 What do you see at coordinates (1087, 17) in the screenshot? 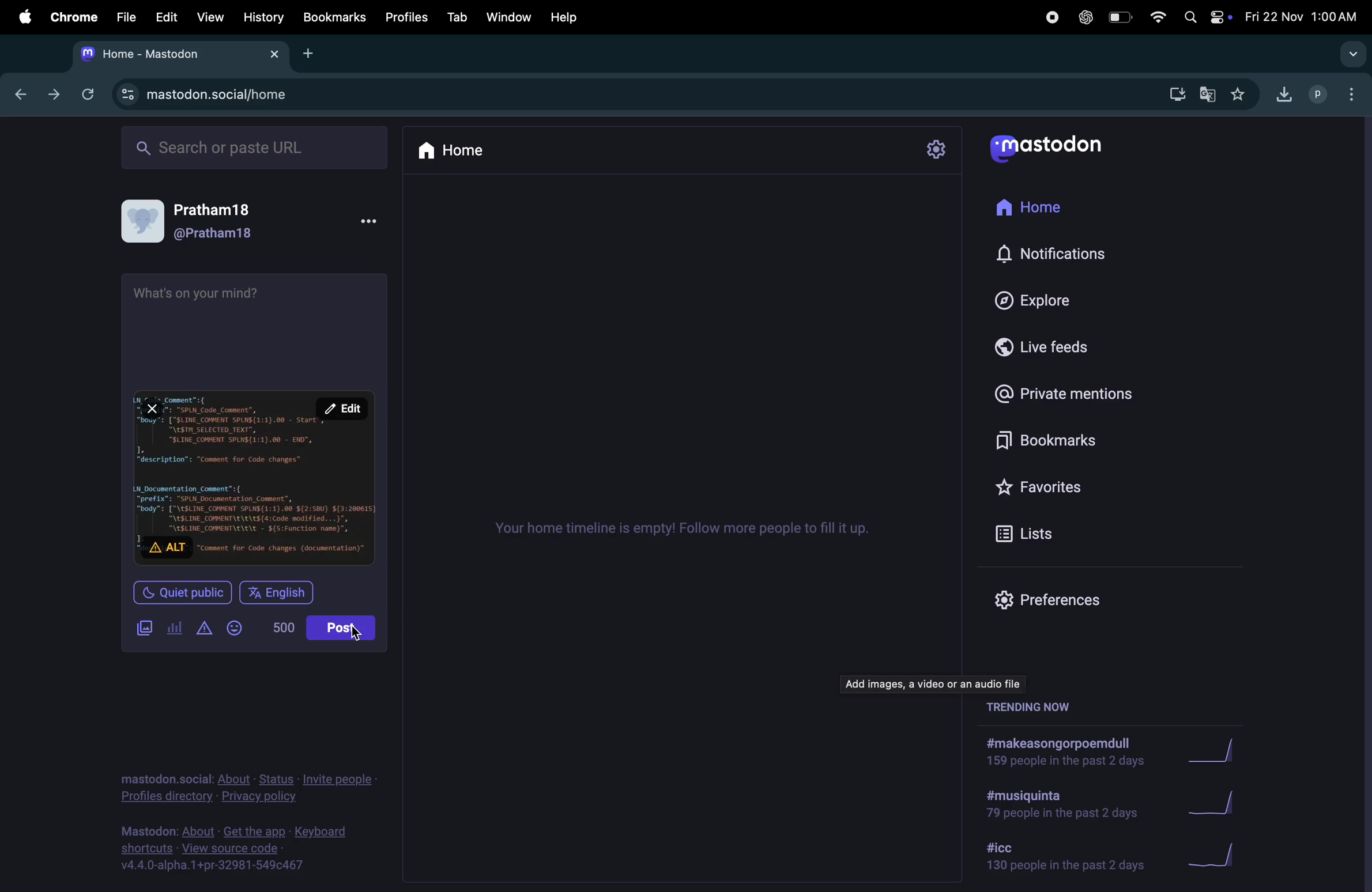
I see `chatgpt` at bounding box center [1087, 17].